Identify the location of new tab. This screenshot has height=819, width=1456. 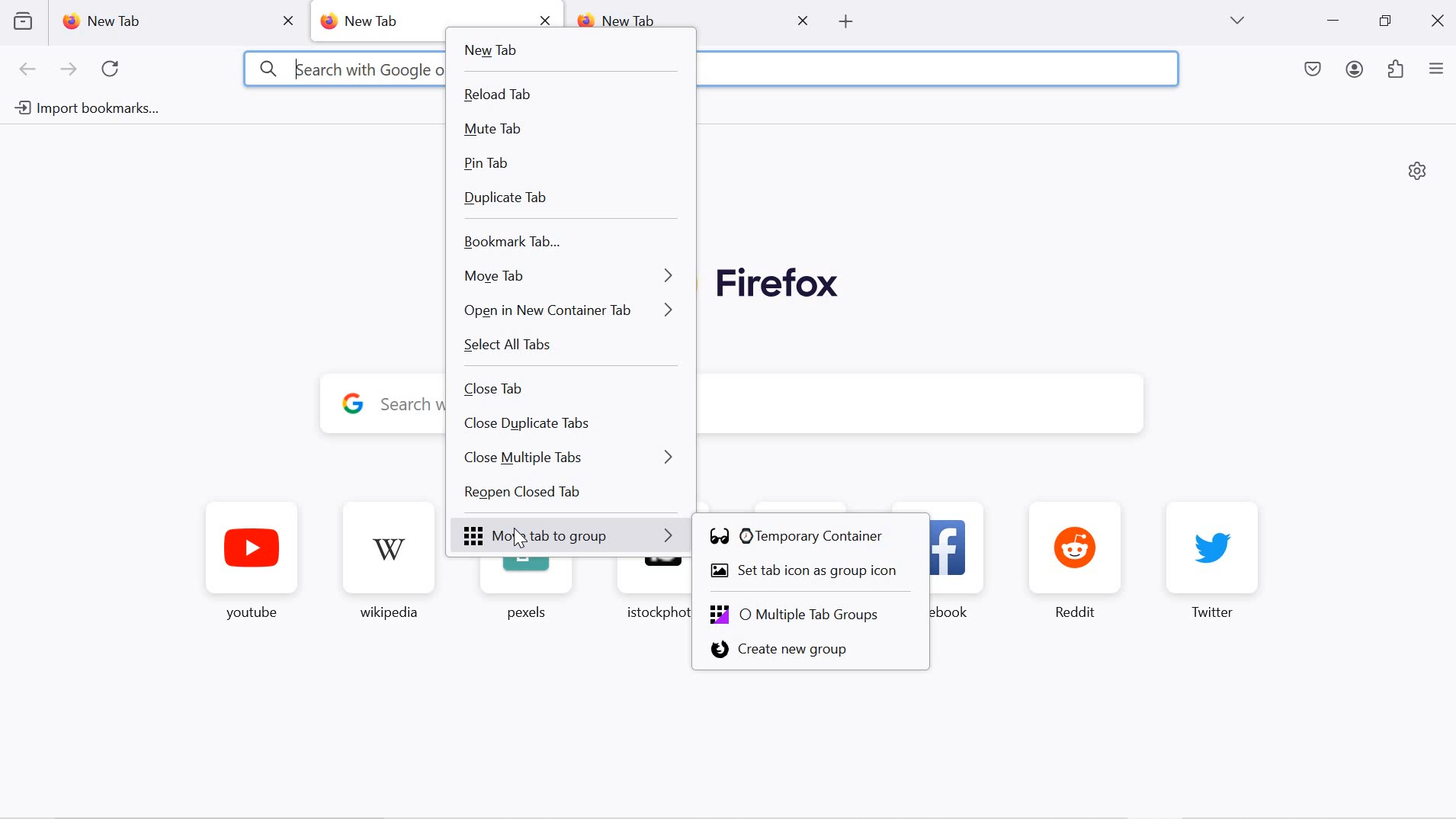
(572, 55).